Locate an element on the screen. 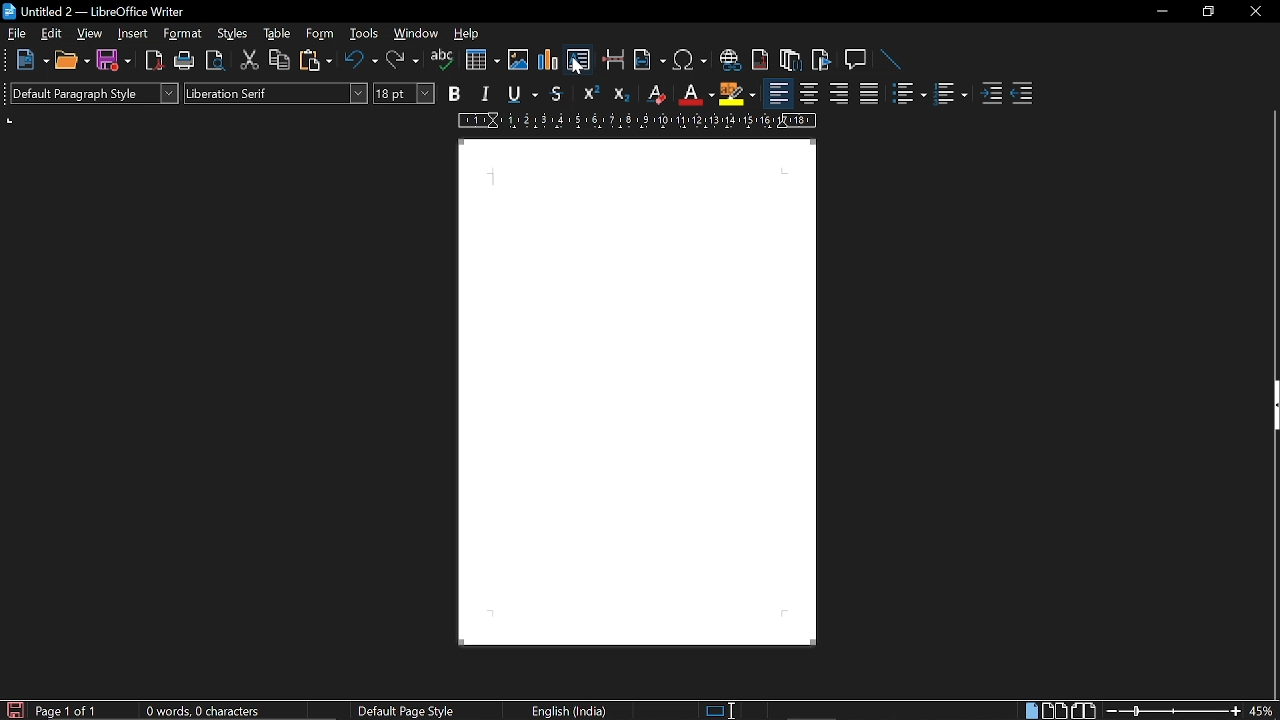 Image resolution: width=1280 pixels, height=720 pixels. single page view is located at coordinates (1030, 711).